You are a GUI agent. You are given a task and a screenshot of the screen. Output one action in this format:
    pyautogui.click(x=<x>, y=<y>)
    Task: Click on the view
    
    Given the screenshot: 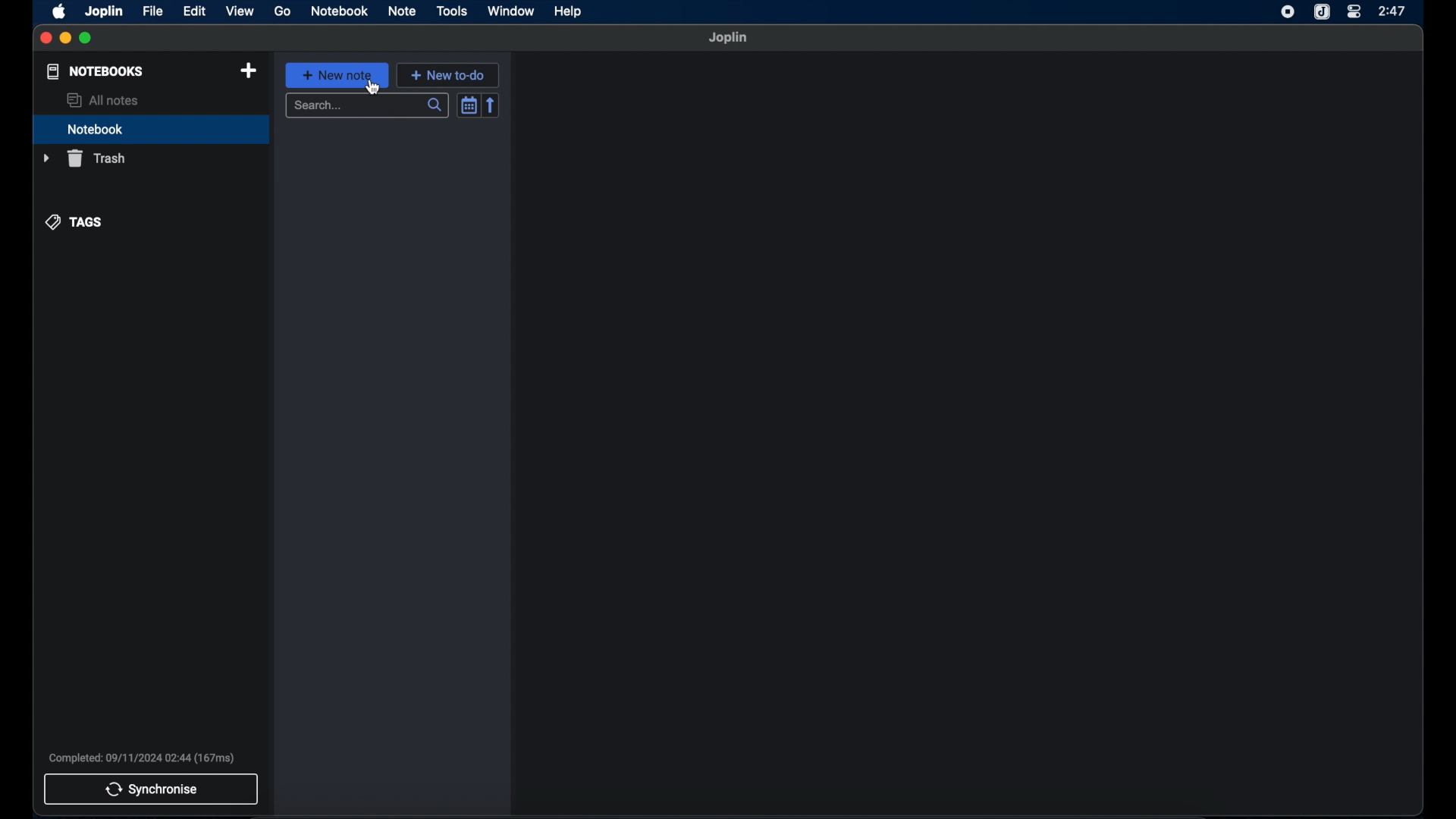 What is the action you would take?
    pyautogui.click(x=241, y=11)
    